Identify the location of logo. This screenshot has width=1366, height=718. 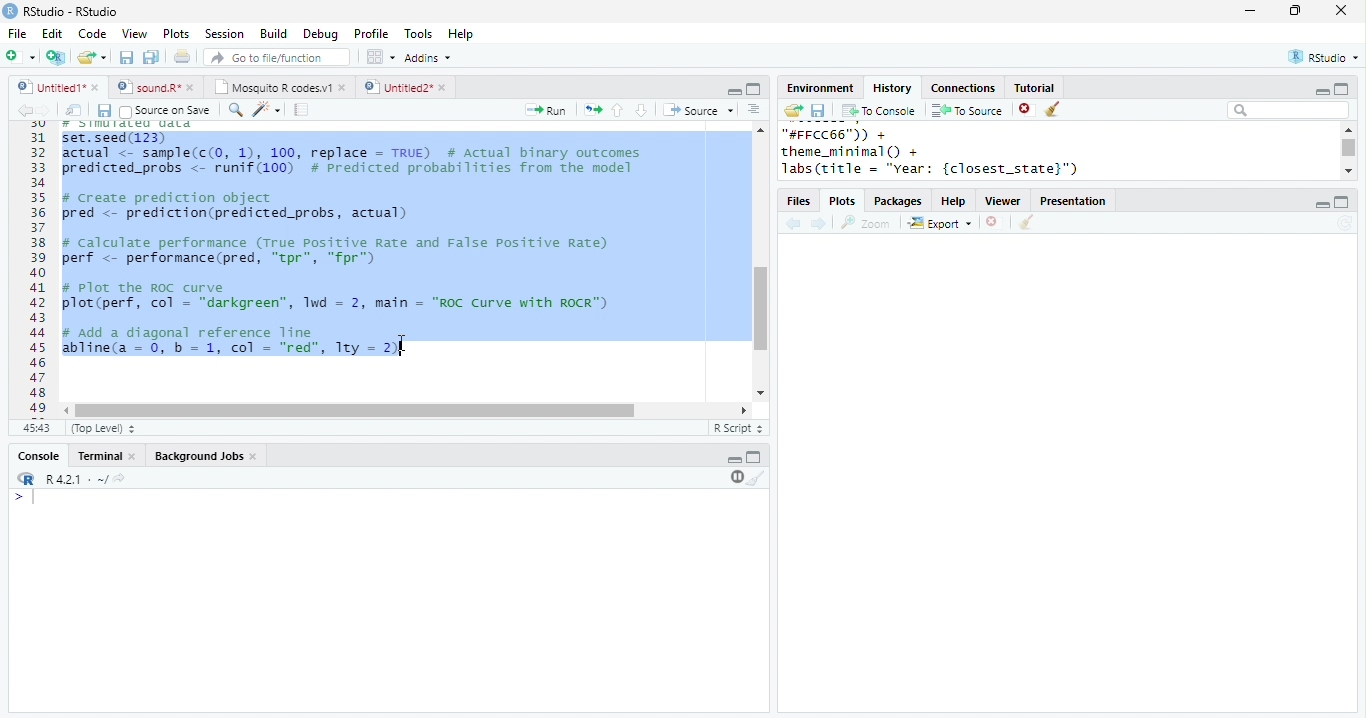
(10, 10).